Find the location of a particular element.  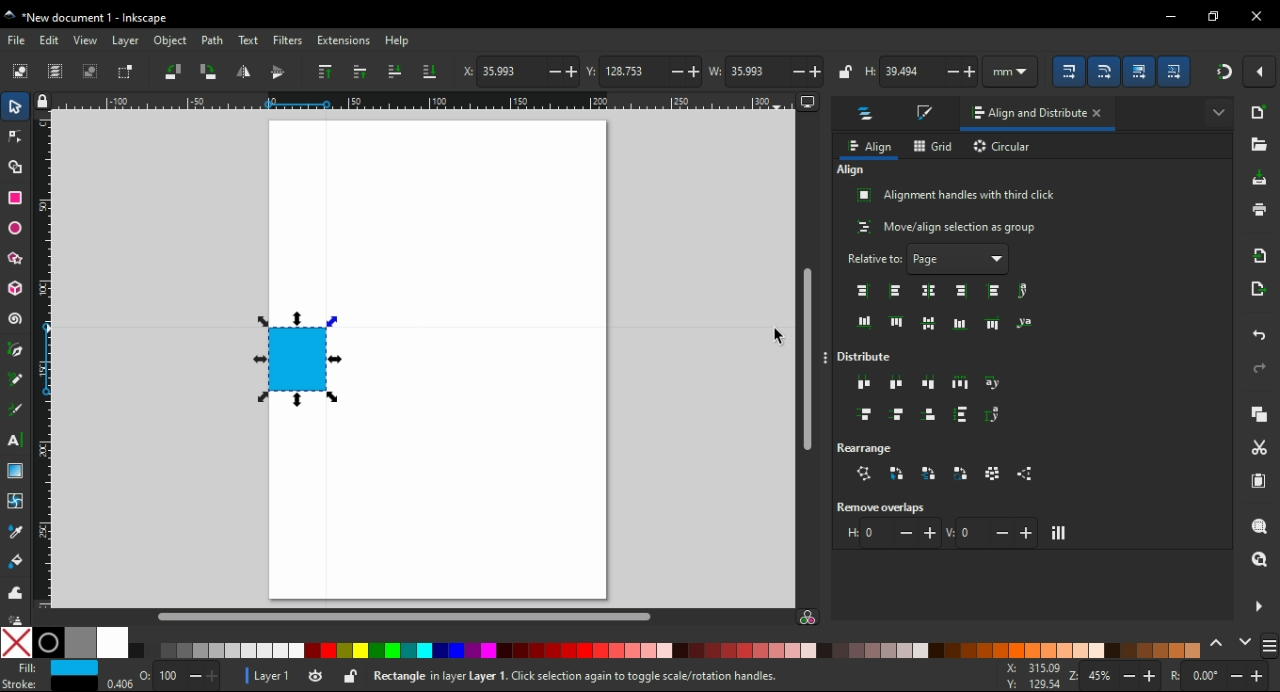

horizontal coordinate of selection is located at coordinates (519, 72).